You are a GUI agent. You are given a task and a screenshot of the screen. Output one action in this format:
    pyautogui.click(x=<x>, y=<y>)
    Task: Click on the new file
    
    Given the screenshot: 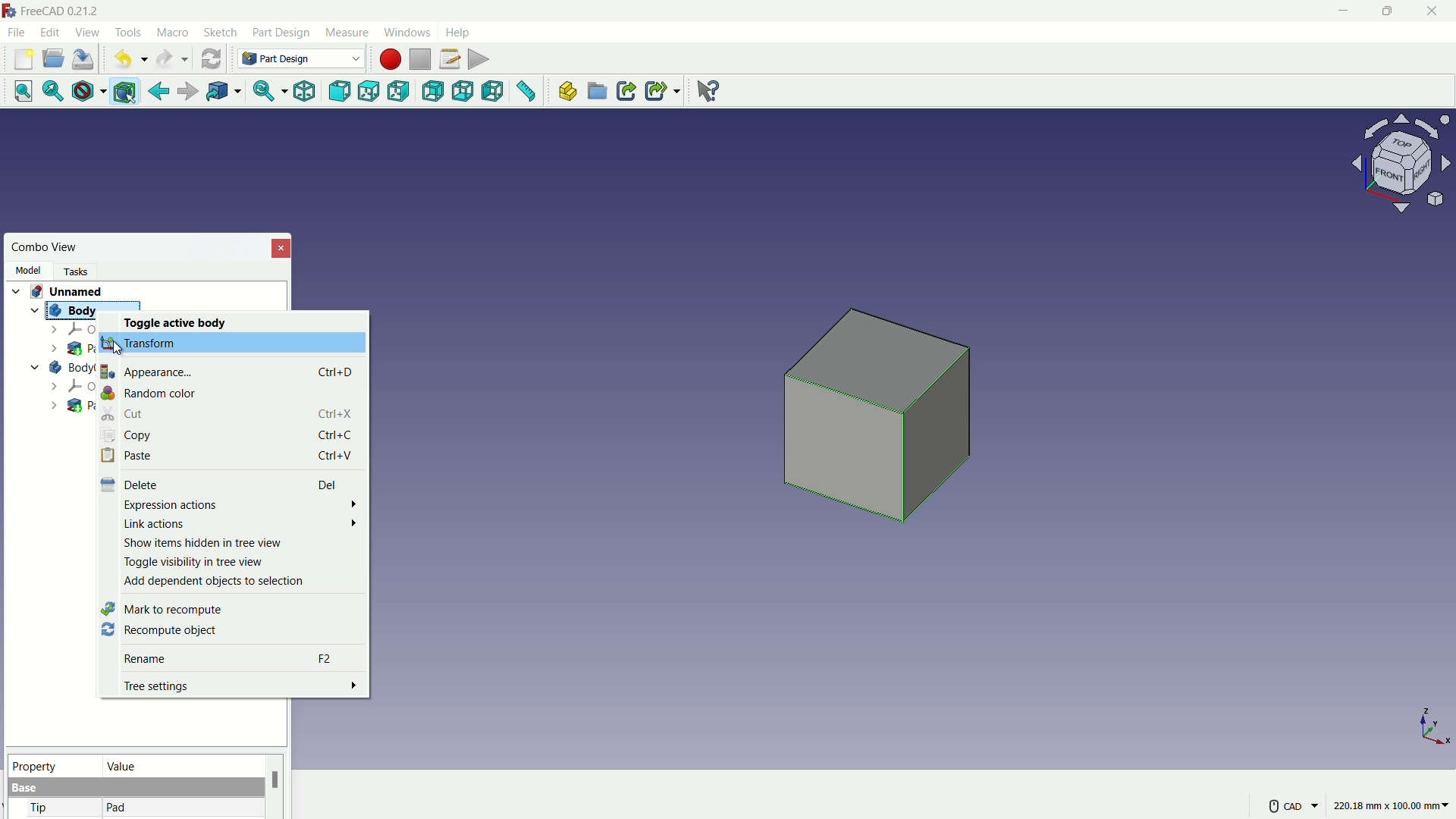 What is the action you would take?
    pyautogui.click(x=24, y=59)
    